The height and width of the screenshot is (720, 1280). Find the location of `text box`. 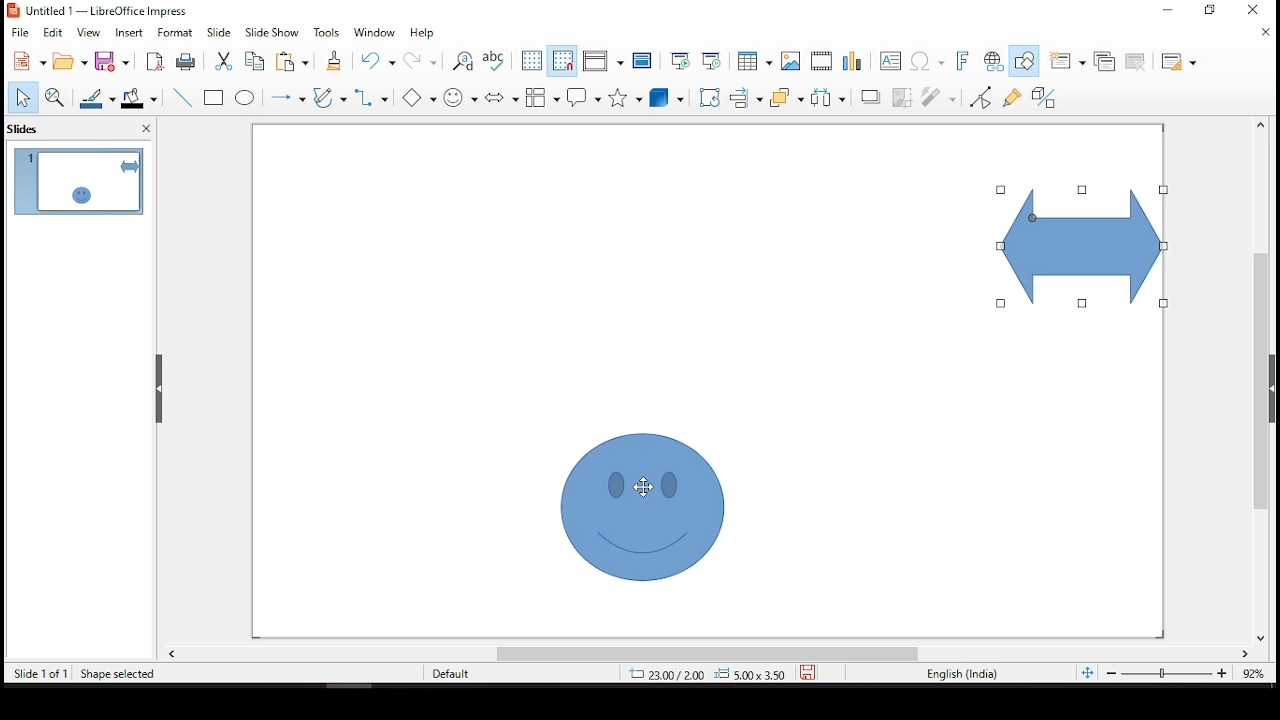

text box is located at coordinates (891, 62).